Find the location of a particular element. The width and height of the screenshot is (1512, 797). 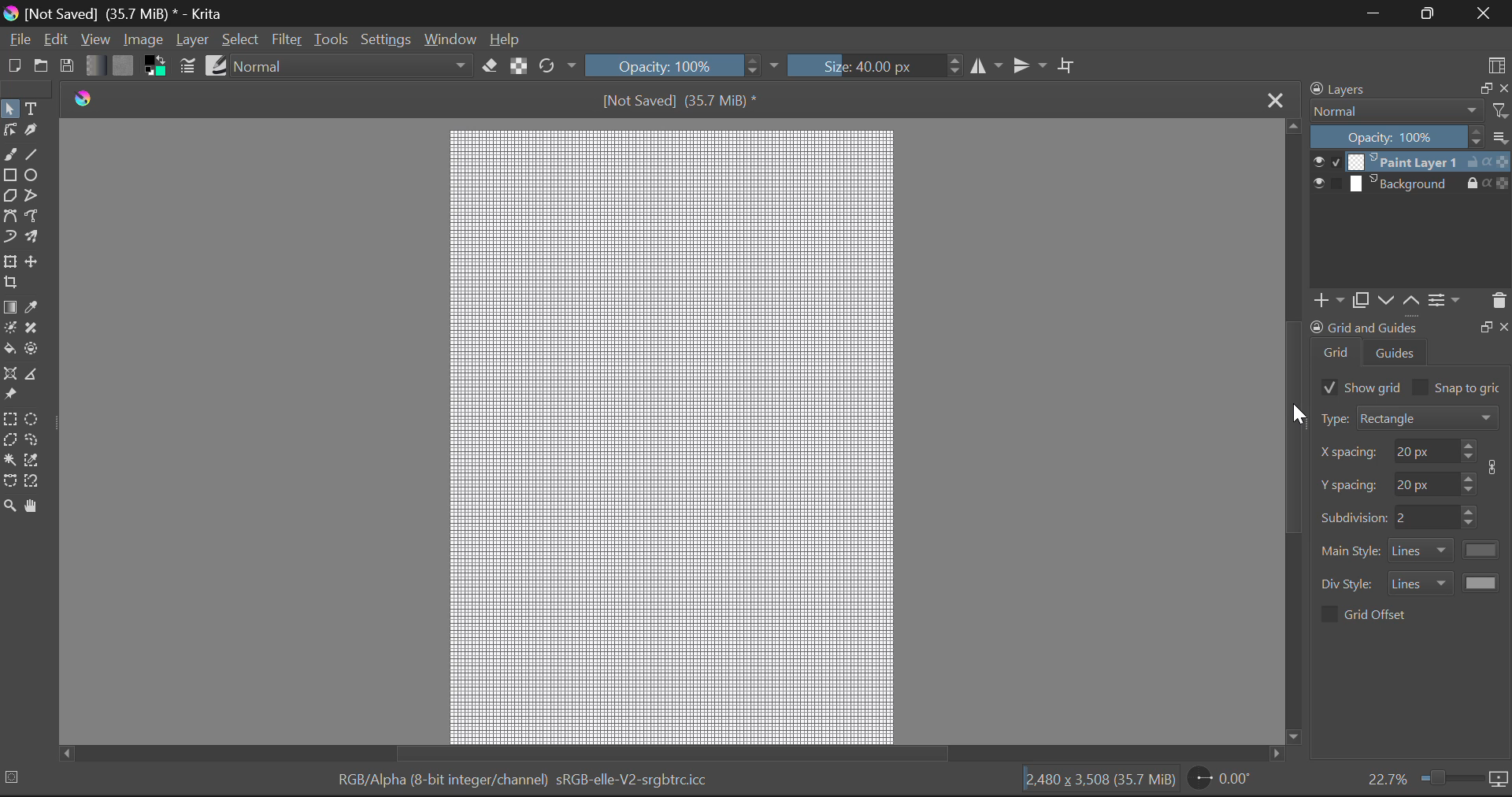

spacing y is located at coordinates (1350, 484).